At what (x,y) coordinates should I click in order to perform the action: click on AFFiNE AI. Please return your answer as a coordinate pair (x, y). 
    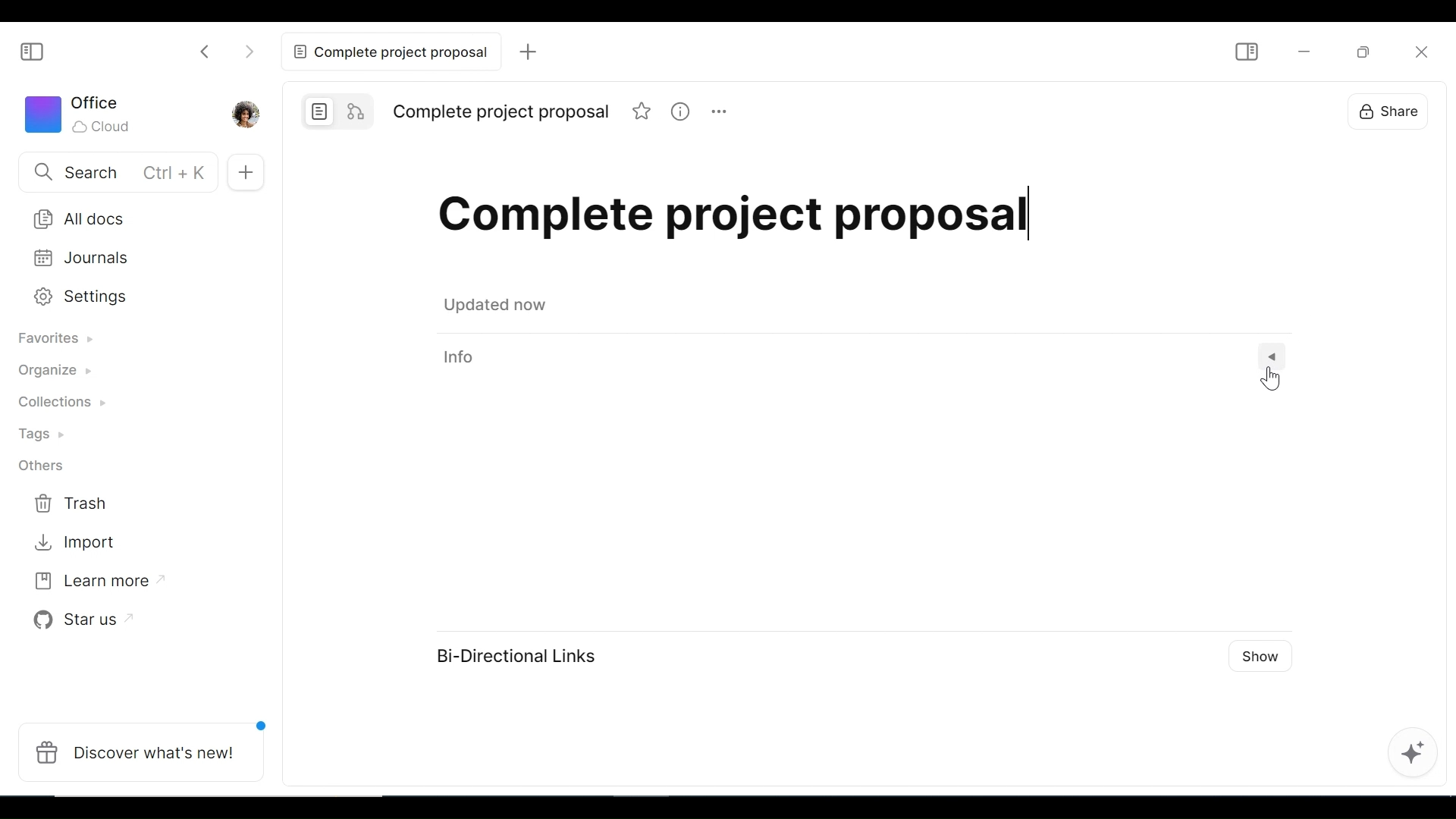
    Looking at the image, I should click on (1417, 753).